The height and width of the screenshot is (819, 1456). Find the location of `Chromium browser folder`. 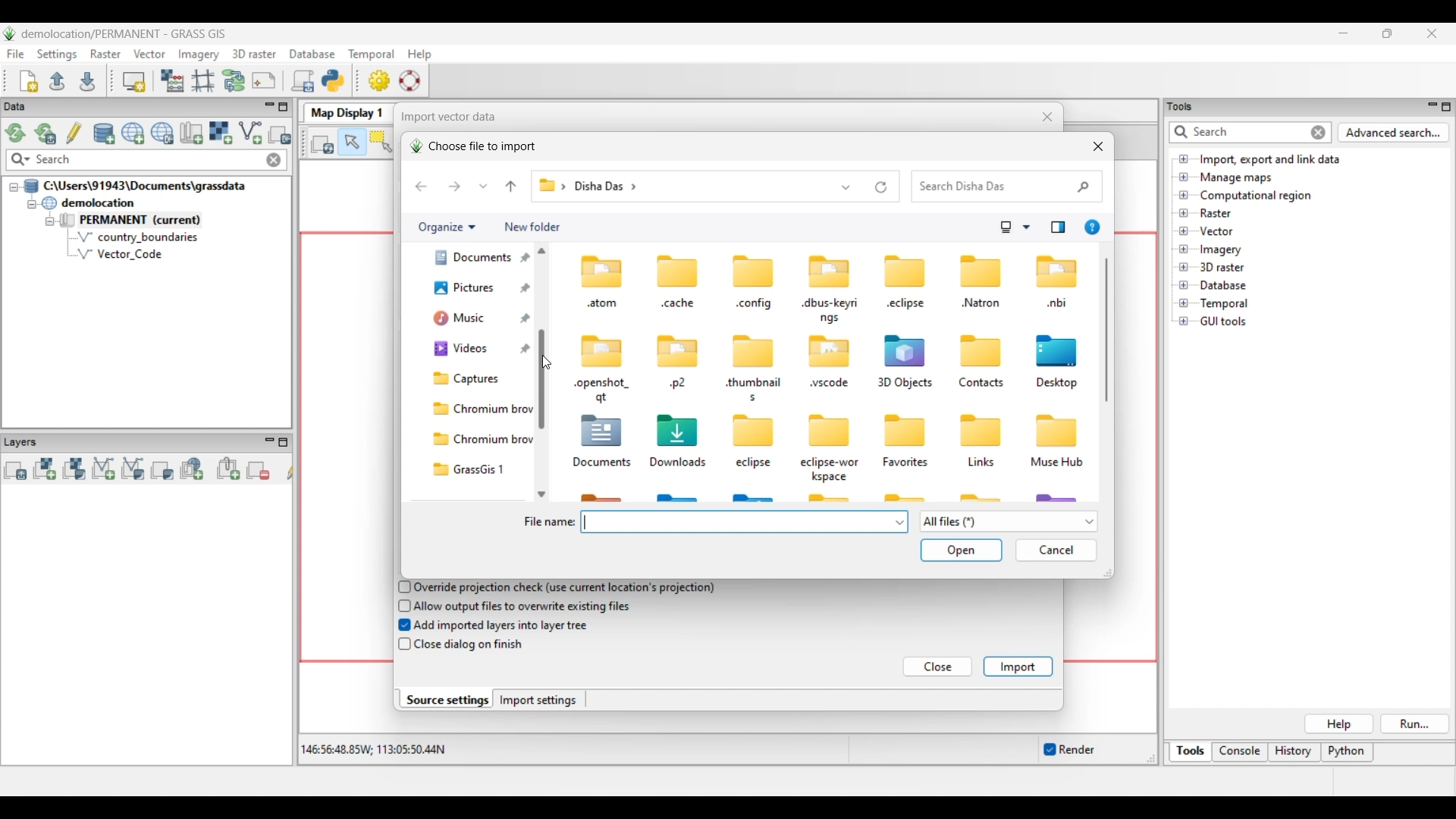

Chromium browser folder is located at coordinates (479, 439).